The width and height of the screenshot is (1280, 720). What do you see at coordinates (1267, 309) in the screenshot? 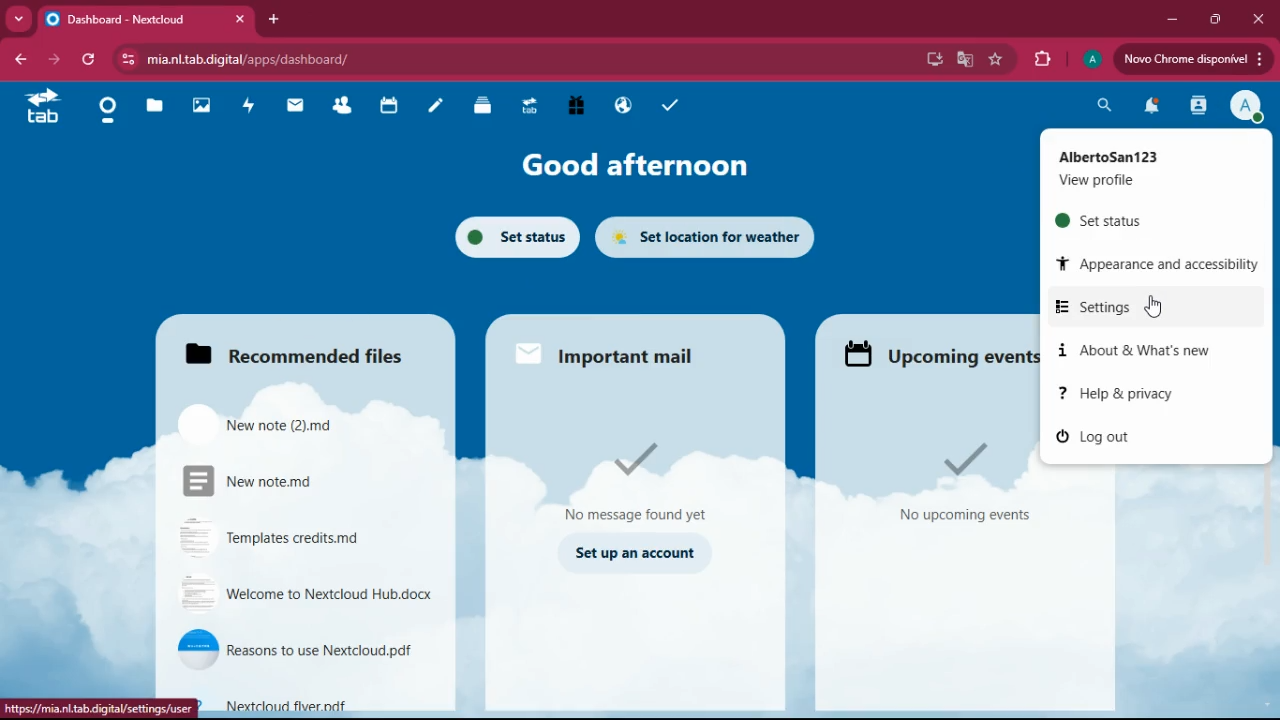
I see `scroll bar` at bounding box center [1267, 309].